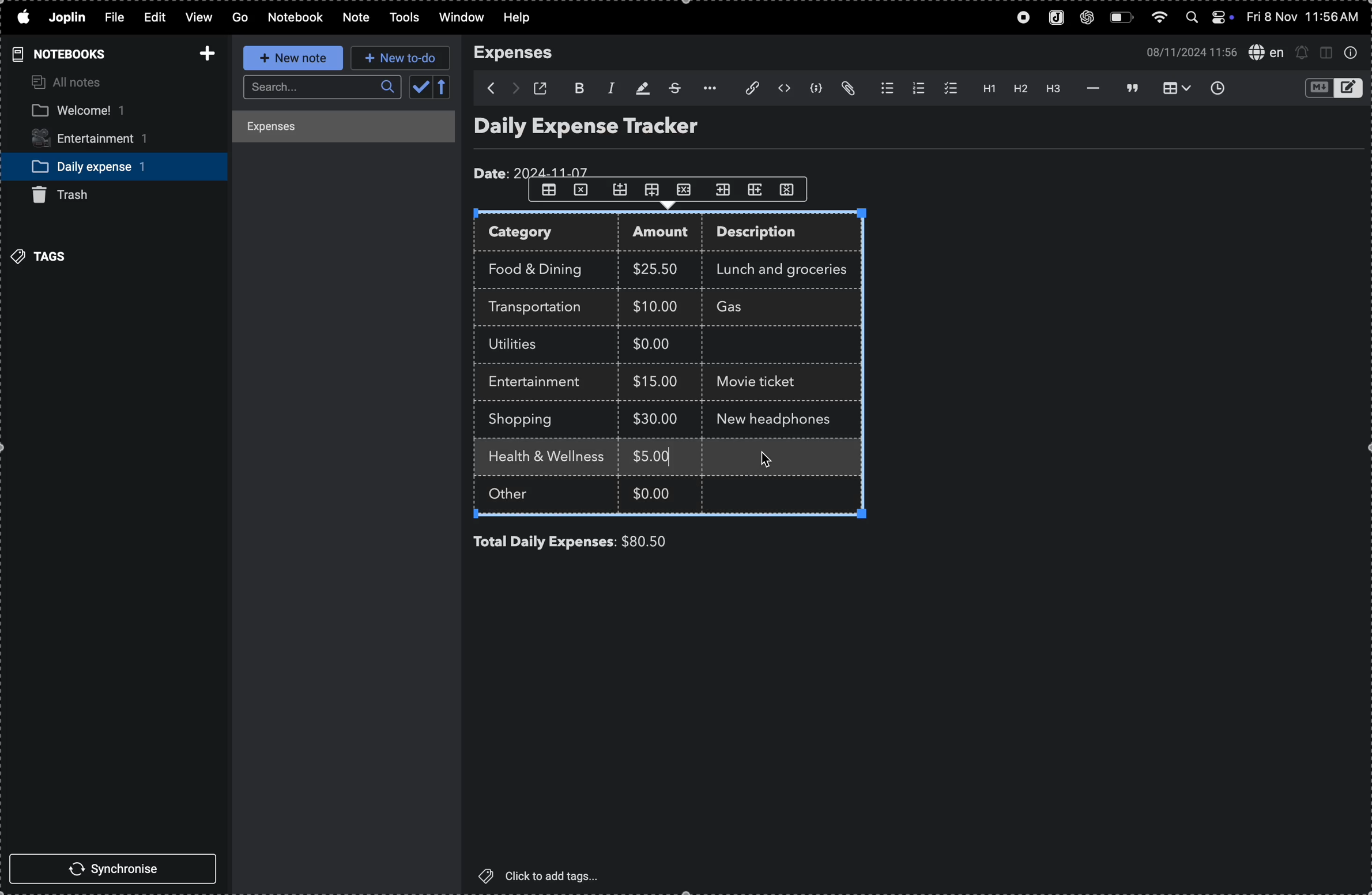 This screenshot has height=895, width=1372. I want to click on alerts, so click(1302, 52).